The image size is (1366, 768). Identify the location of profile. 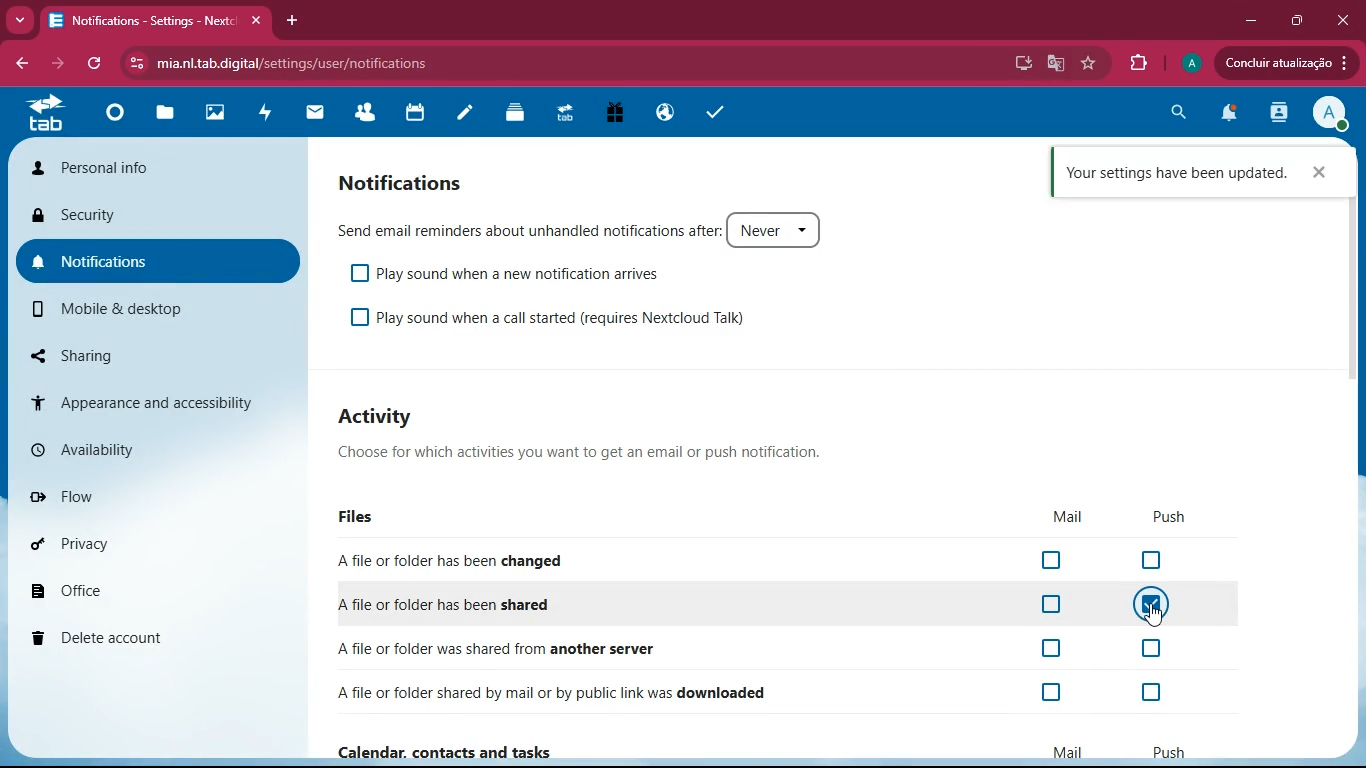
(160, 164).